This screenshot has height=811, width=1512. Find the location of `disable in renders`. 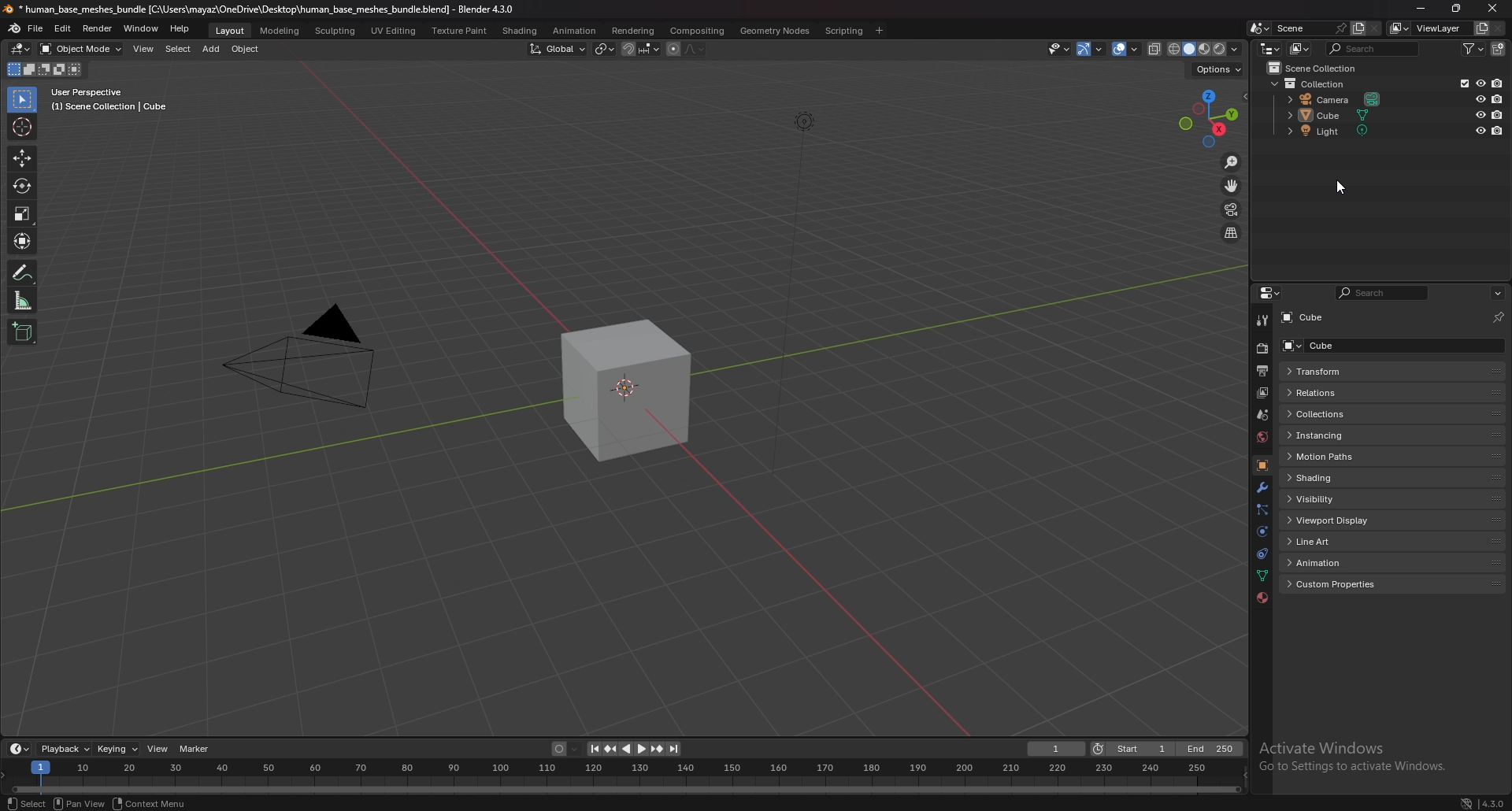

disable in renders is located at coordinates (1499, 99).